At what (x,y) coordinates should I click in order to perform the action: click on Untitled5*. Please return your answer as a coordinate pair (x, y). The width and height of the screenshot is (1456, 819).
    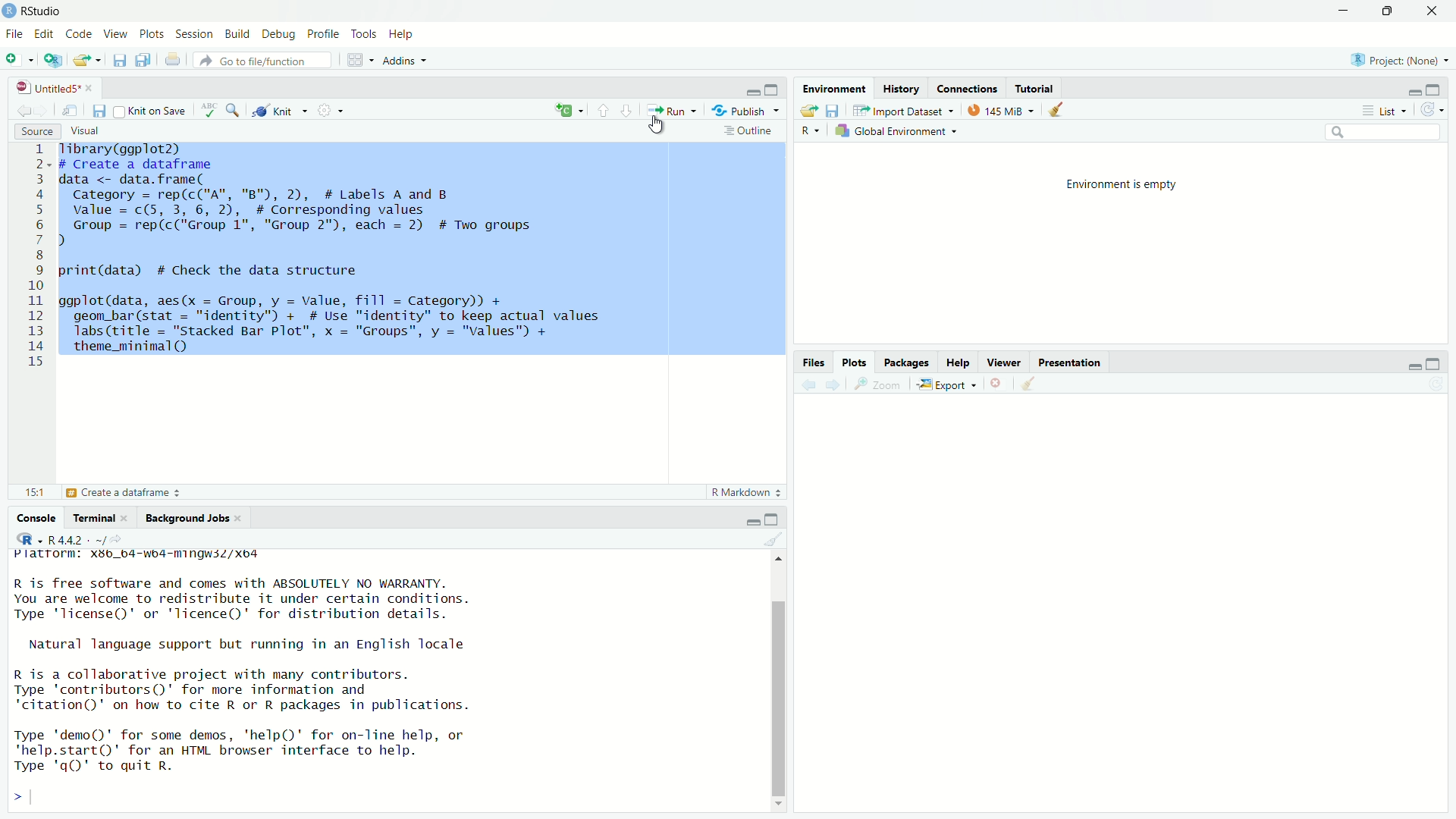
    Looking at the image, I should click on (52, 86).